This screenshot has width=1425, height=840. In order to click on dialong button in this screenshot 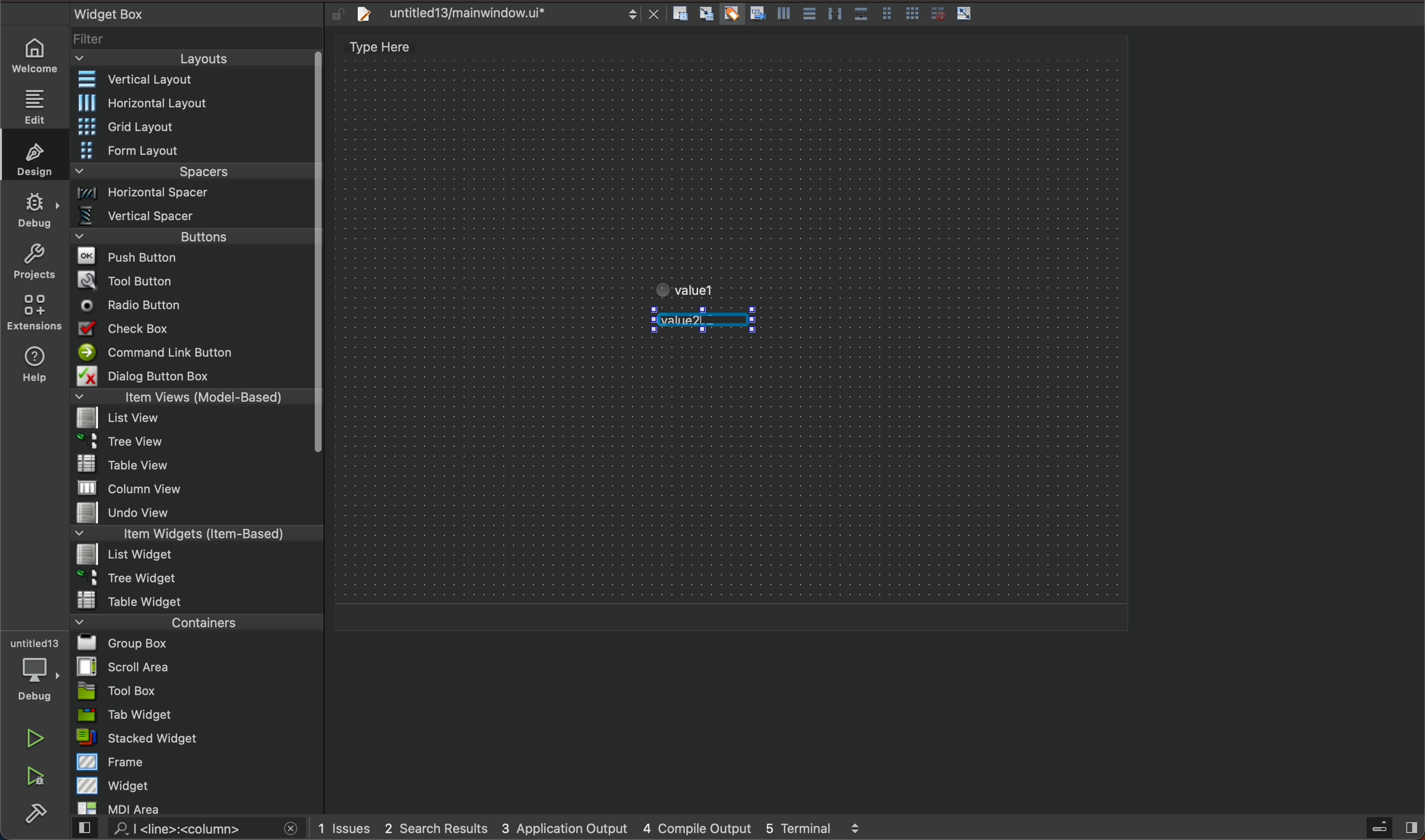, I will do `click(194, 378)`.